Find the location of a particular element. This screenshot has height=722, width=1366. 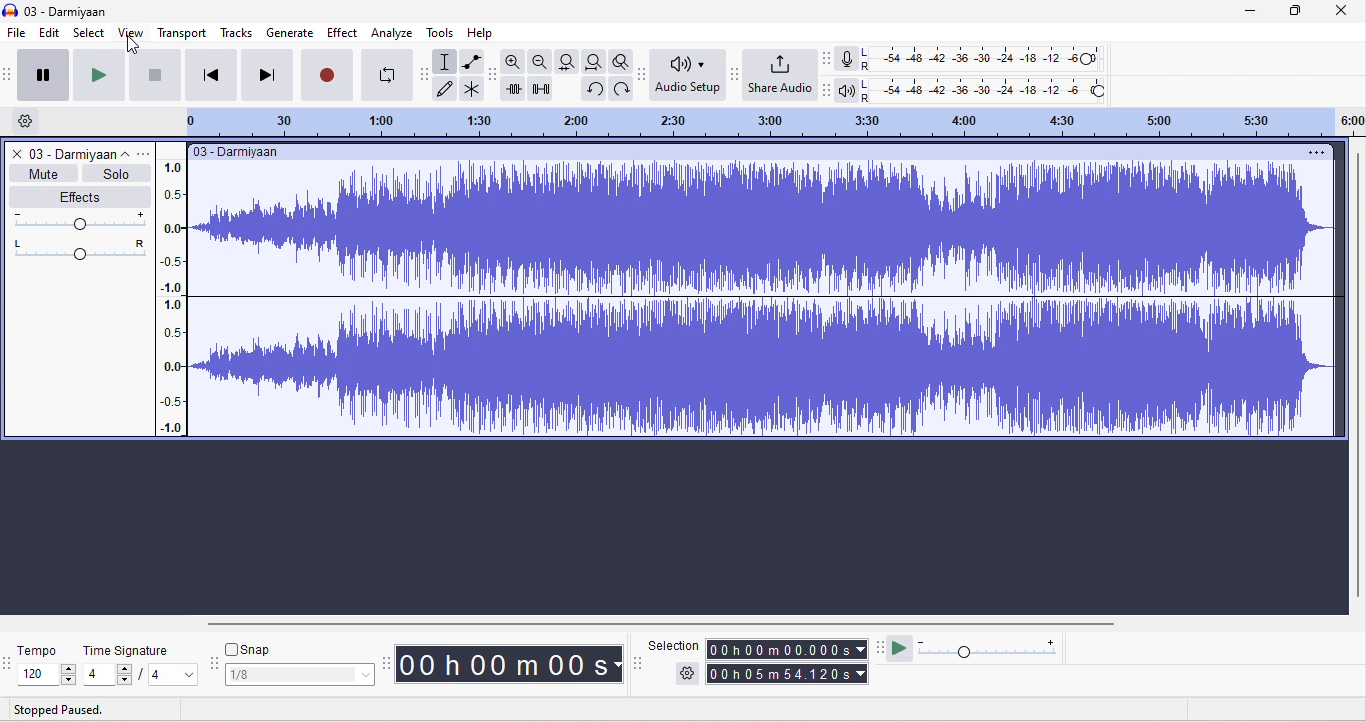

Time is located at coordinates (514, 663).